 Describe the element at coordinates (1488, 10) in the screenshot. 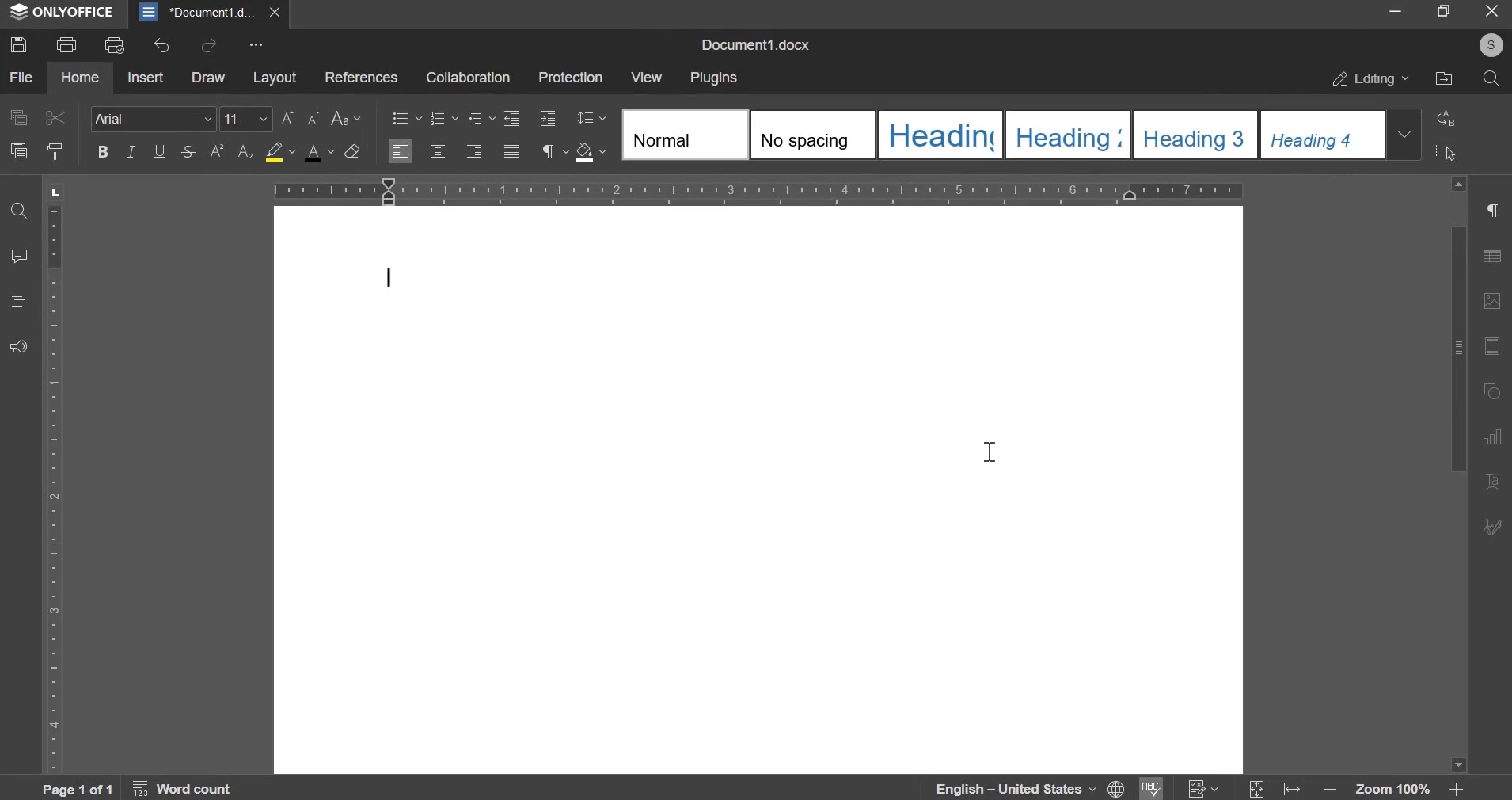

I see `exit` at that location.